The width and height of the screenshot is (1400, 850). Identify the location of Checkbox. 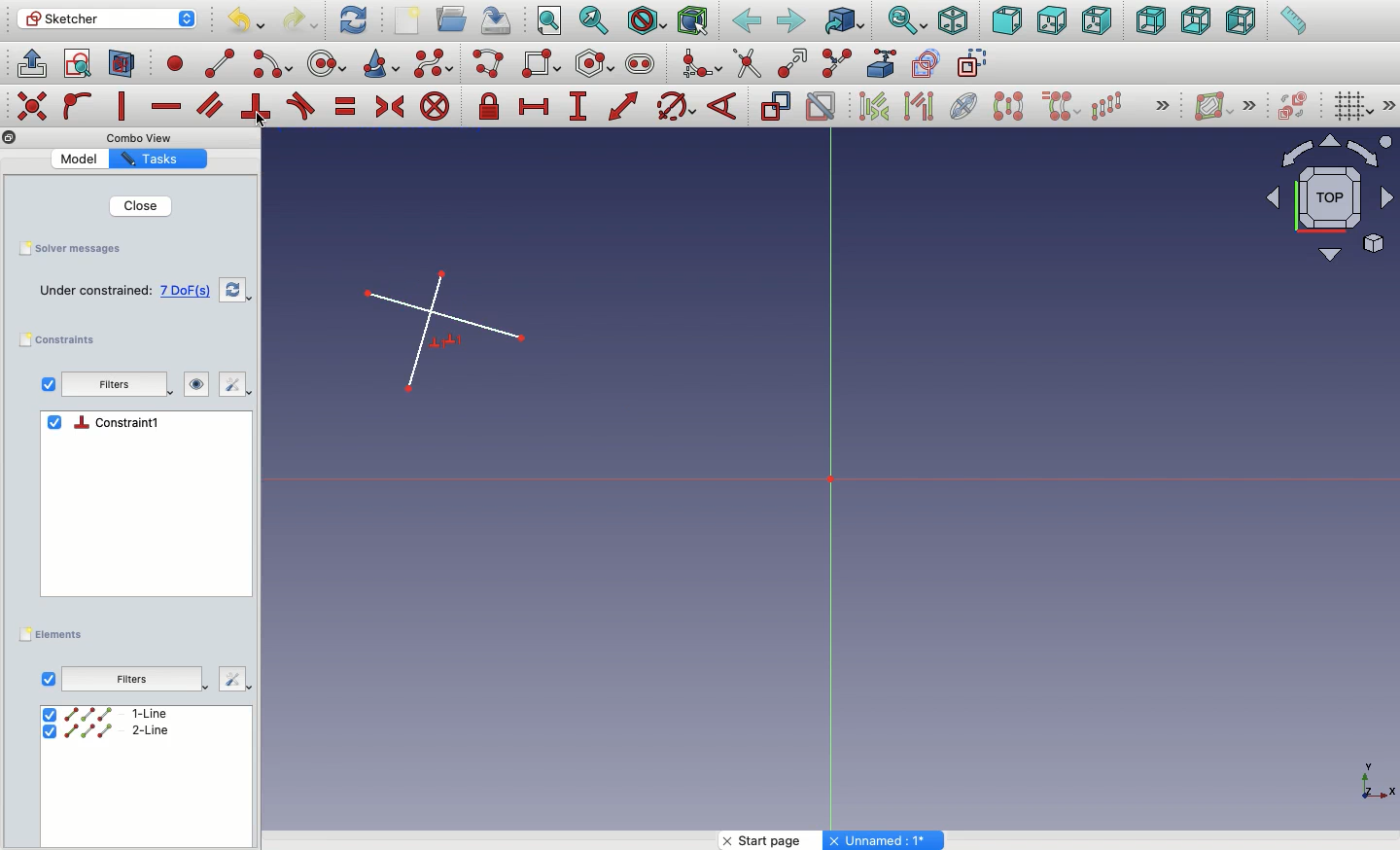
(47, 384).